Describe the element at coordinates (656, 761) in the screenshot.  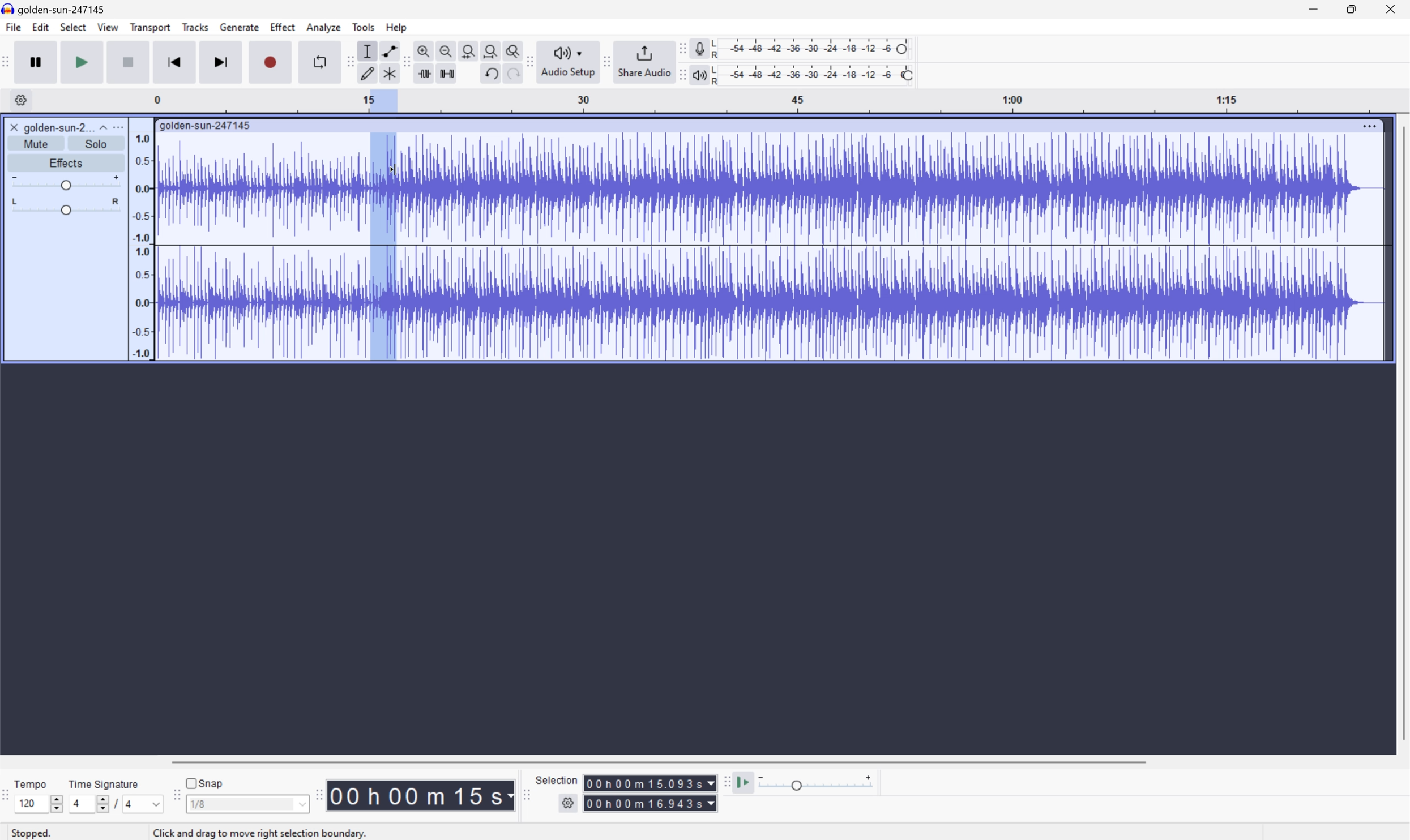
I see `Scroll bar` at that location.